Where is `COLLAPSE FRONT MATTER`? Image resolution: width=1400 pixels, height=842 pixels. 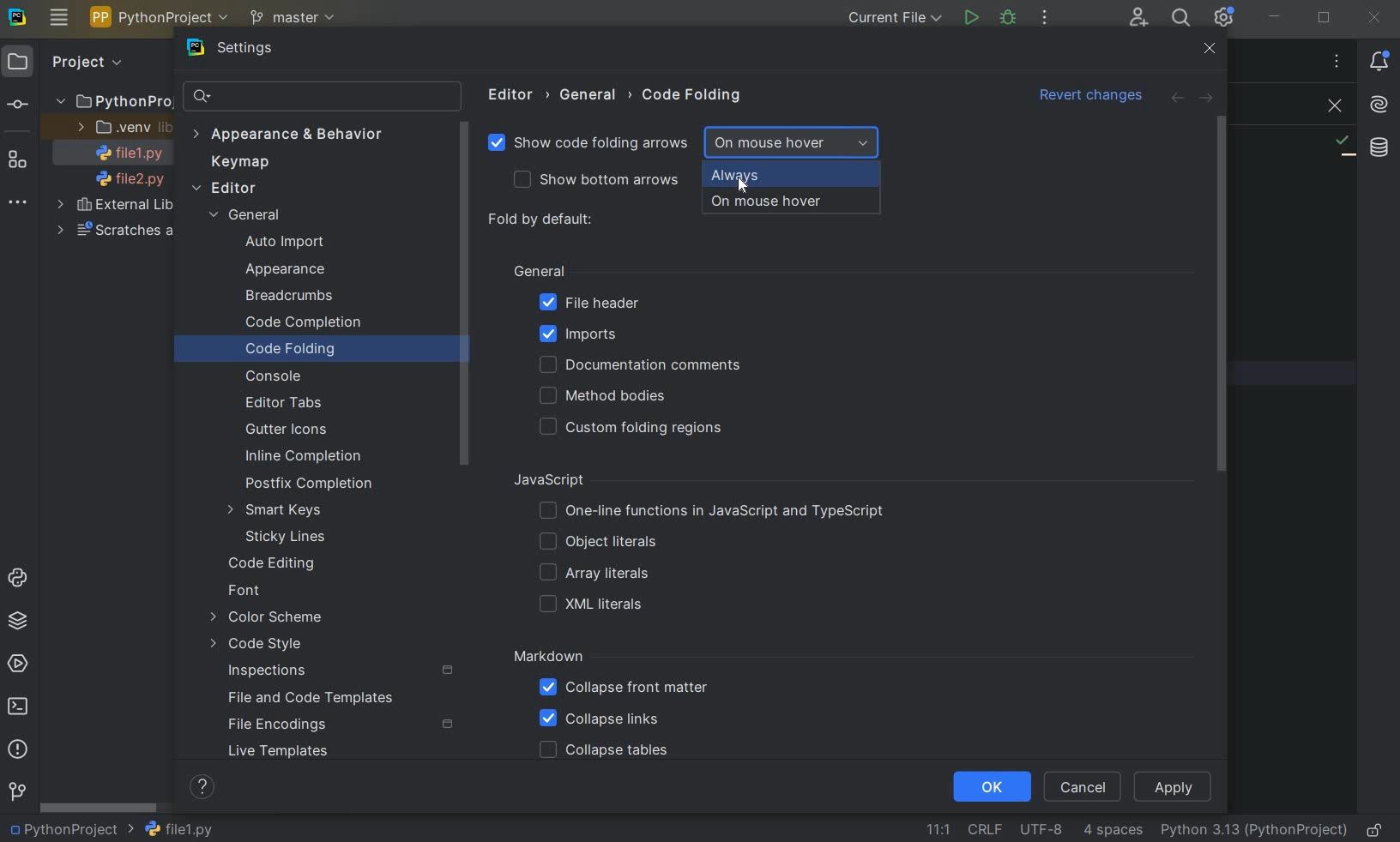
COLLAPSE FRONT MATTER is located at coordinates (624, 690).